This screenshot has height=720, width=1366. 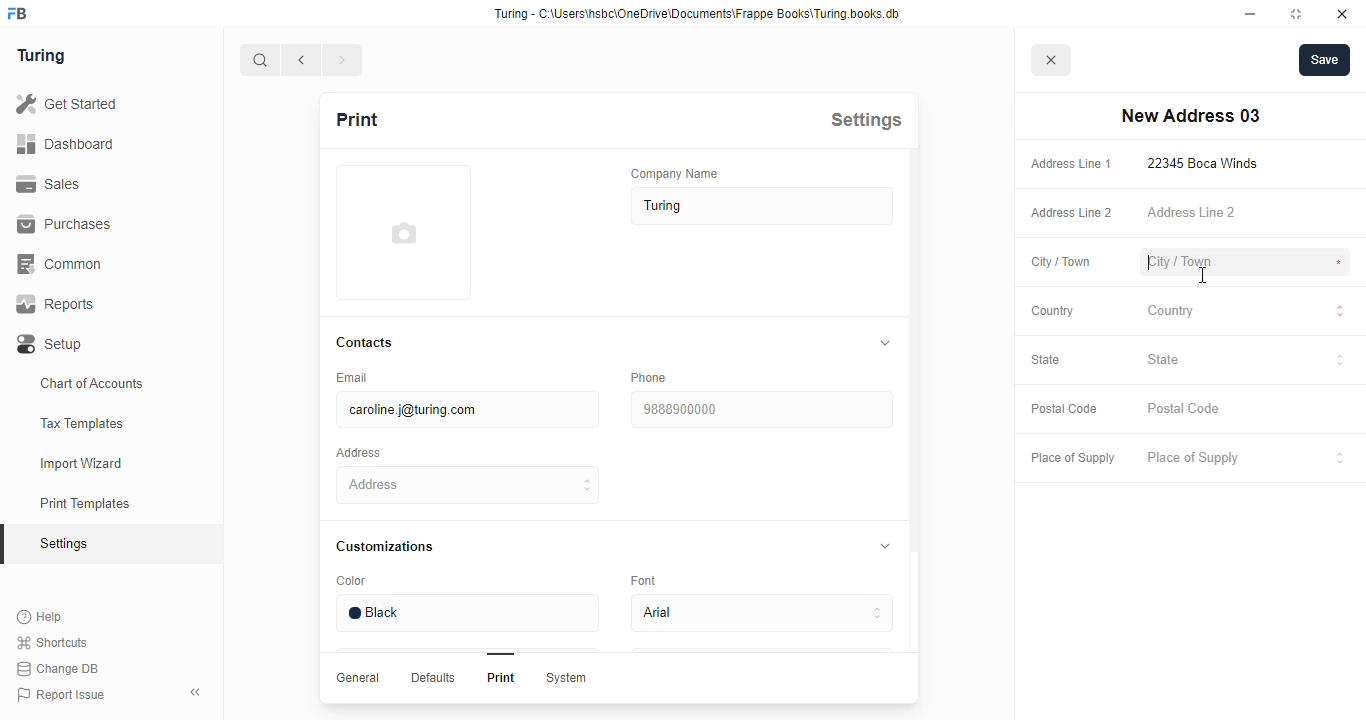 I want to click on new address 03, so click(x=1190, y=116).